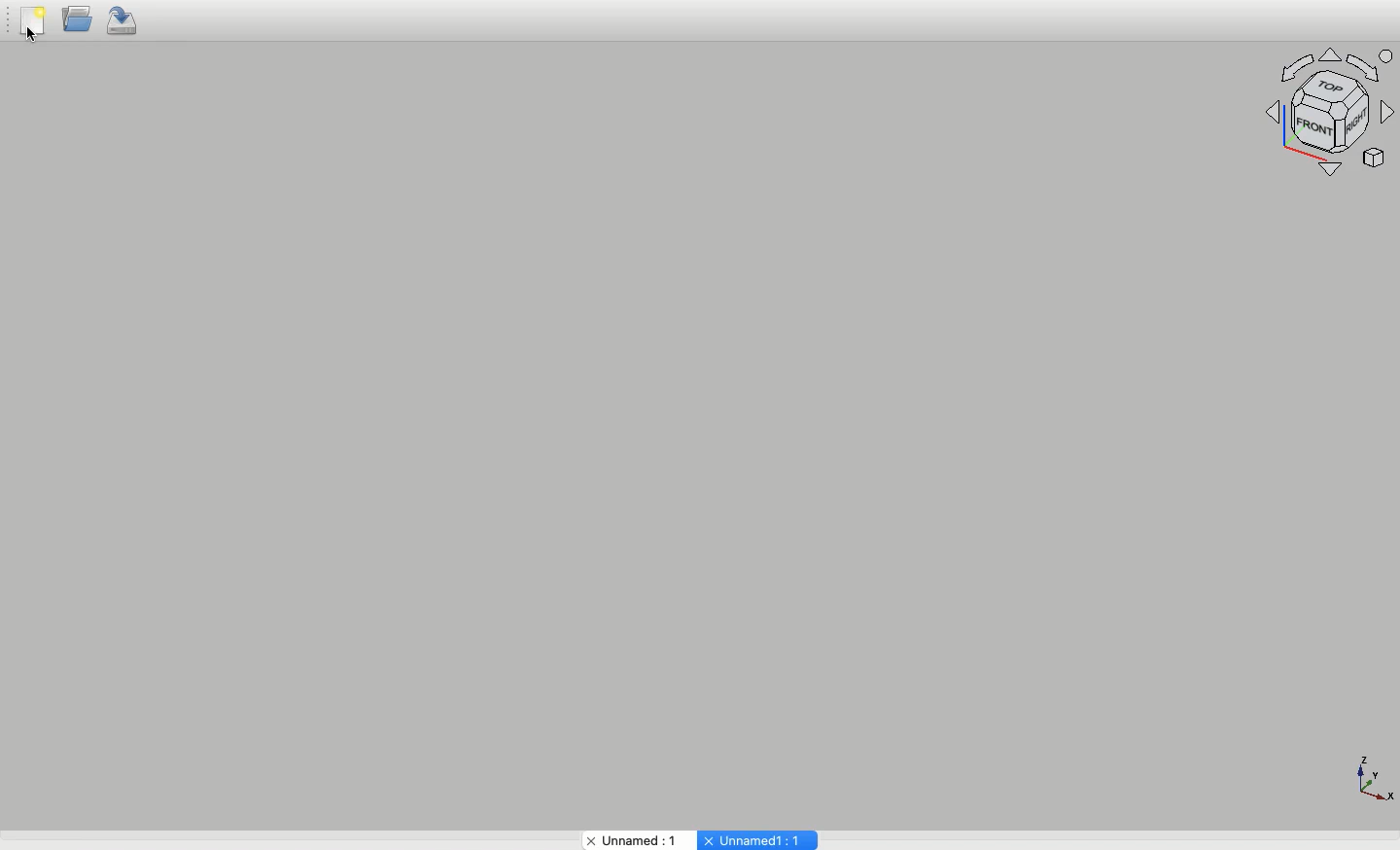 This screenshot has height=850, width=1400. What do you see at coordinates (124, 22) in the screenshot?
I see `Save` at bounding box center [124, 22].